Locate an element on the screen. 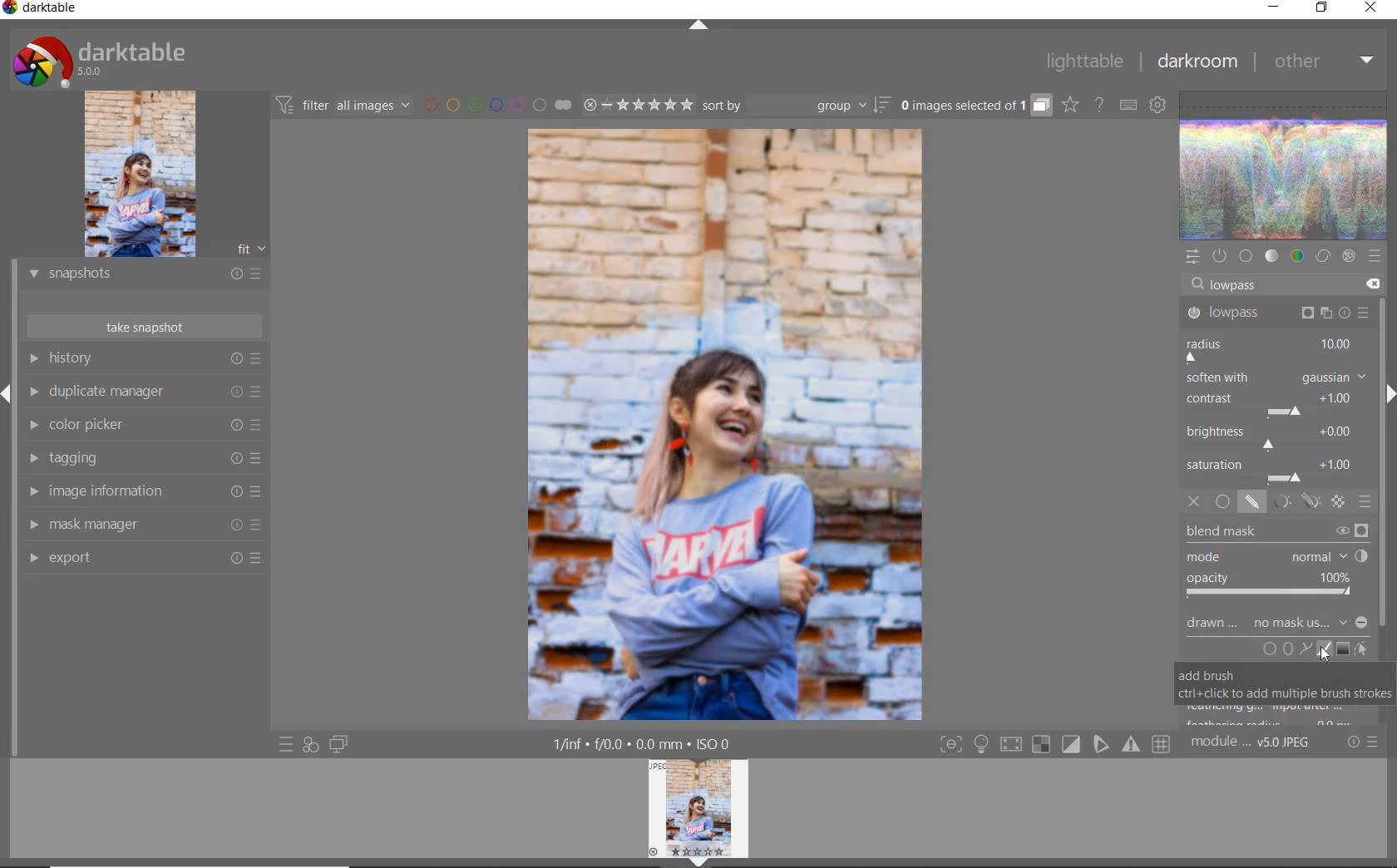  close is located at coordinates (1370, 9).